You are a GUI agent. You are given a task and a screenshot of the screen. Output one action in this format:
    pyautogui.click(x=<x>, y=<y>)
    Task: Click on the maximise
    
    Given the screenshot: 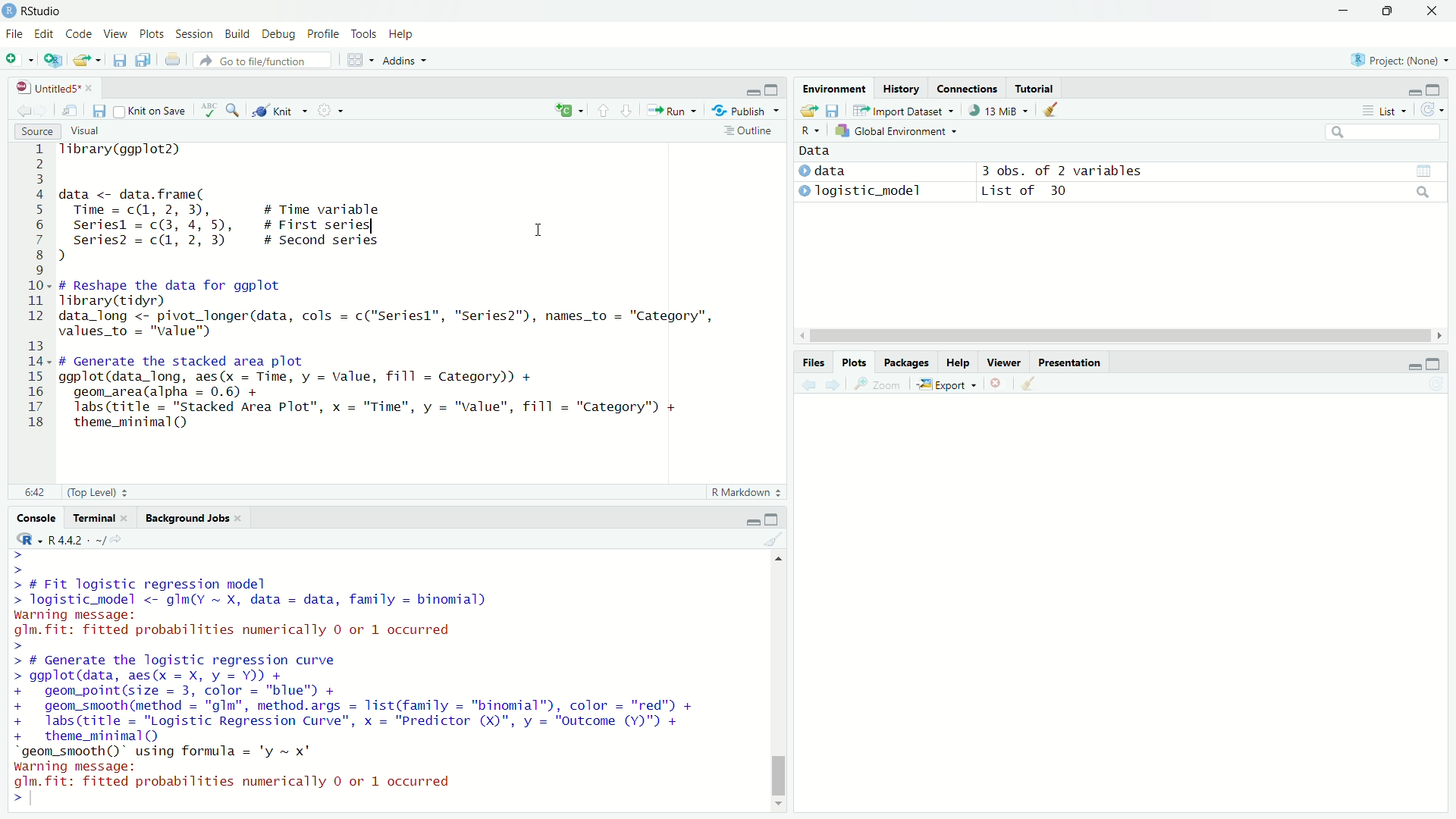 What is the action you would take?
    pyautogui.click(x=1393, y=12)
    